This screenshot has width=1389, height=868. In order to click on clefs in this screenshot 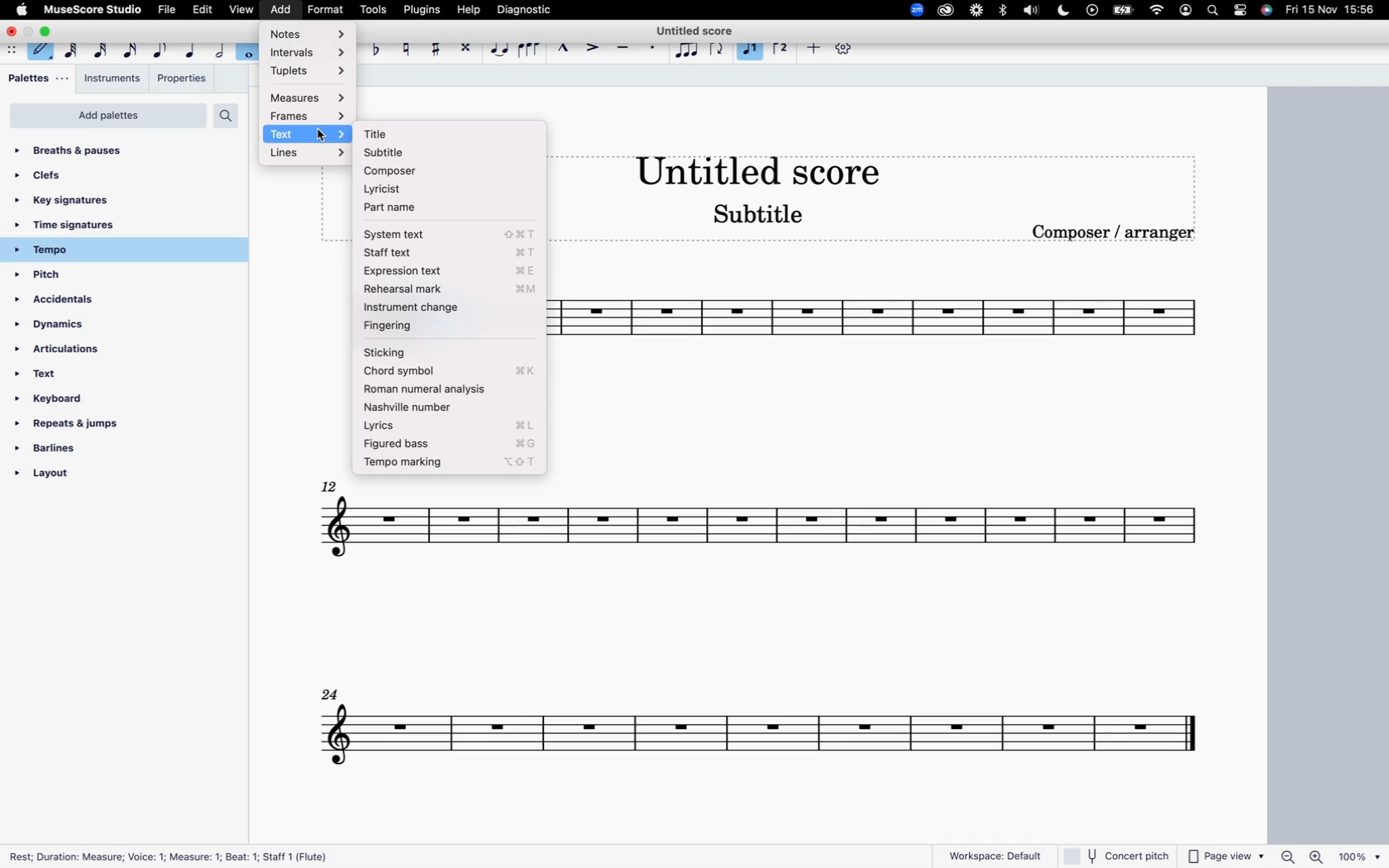, I will do `click(112, 179)`.